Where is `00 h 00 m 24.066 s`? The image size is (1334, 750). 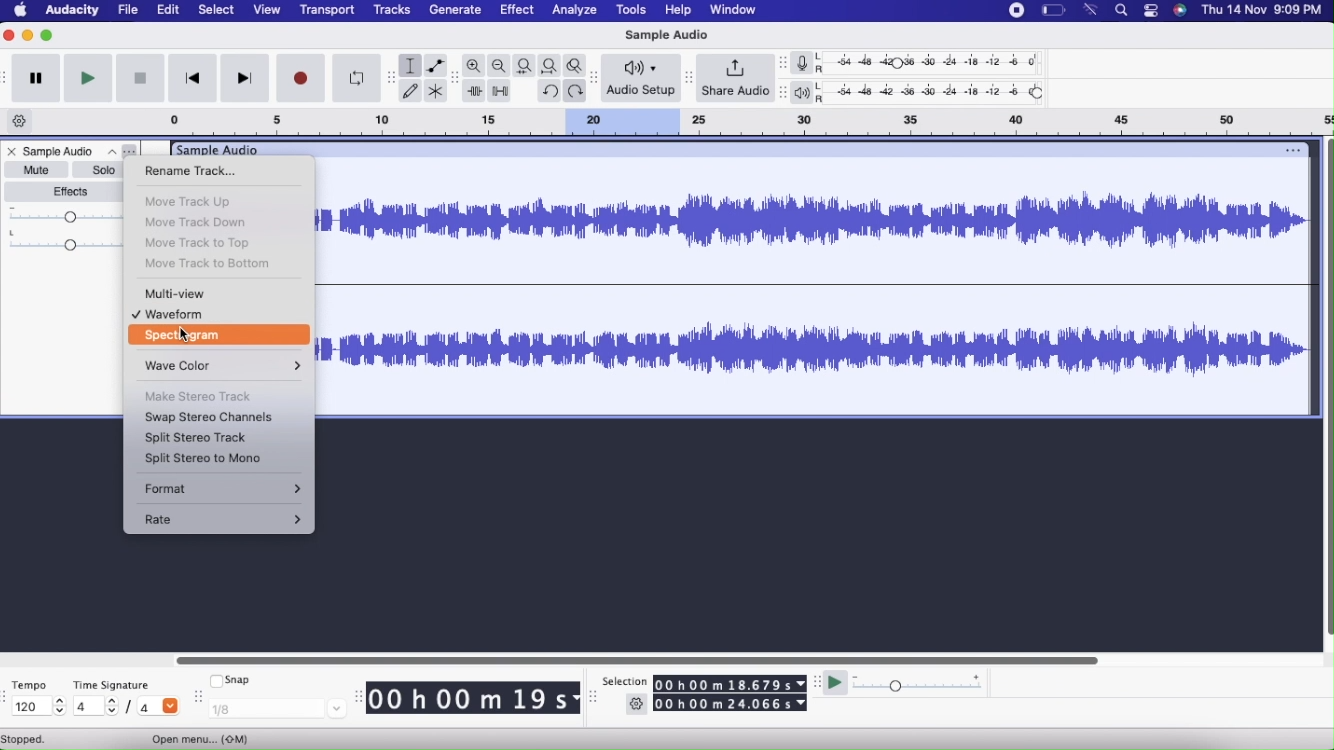 00 h 00 m 24.066 s is located at coordinates (731, 702).